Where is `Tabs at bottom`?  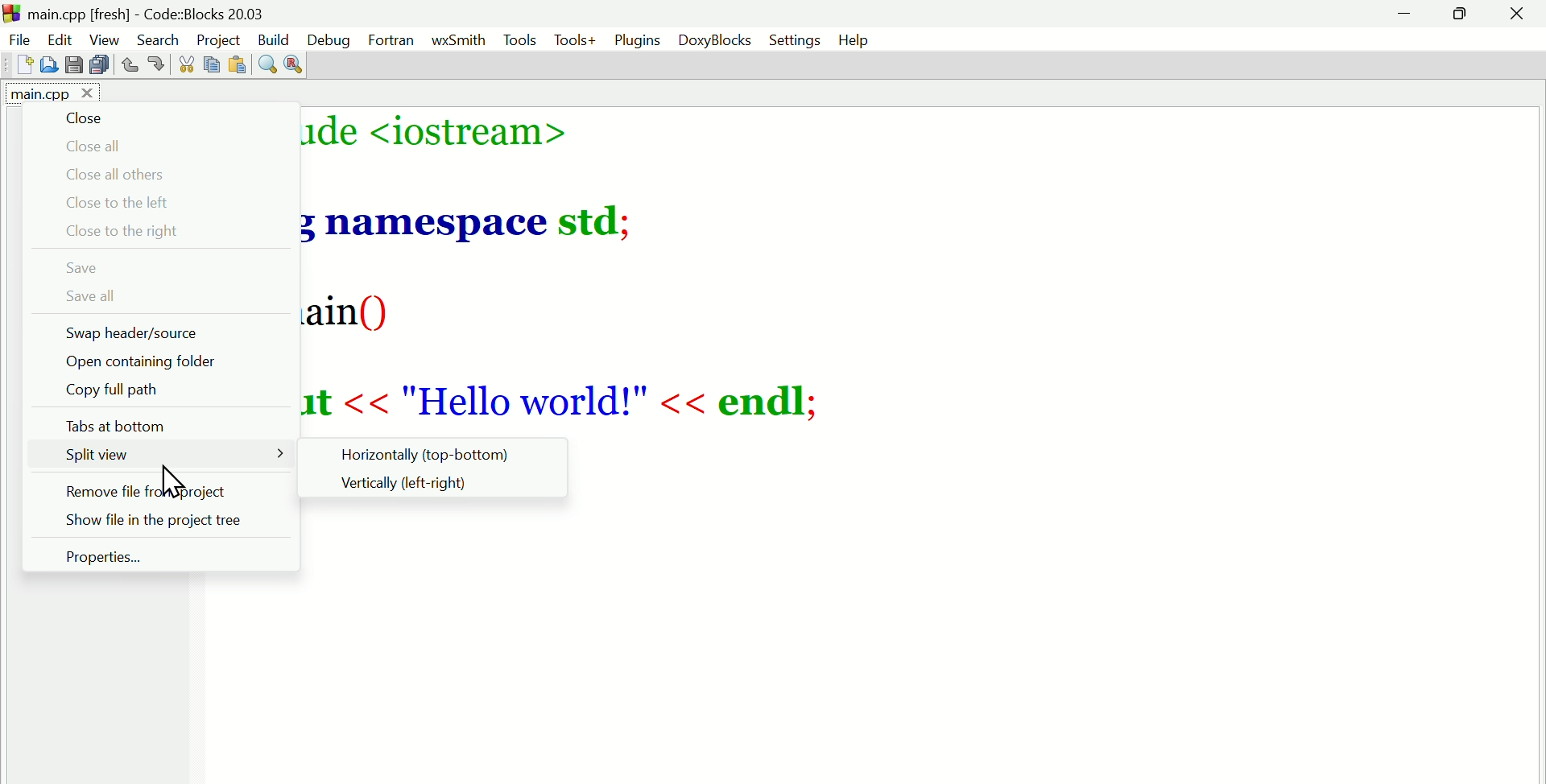
Tabs at bottom is located at coordinates (130, 423).